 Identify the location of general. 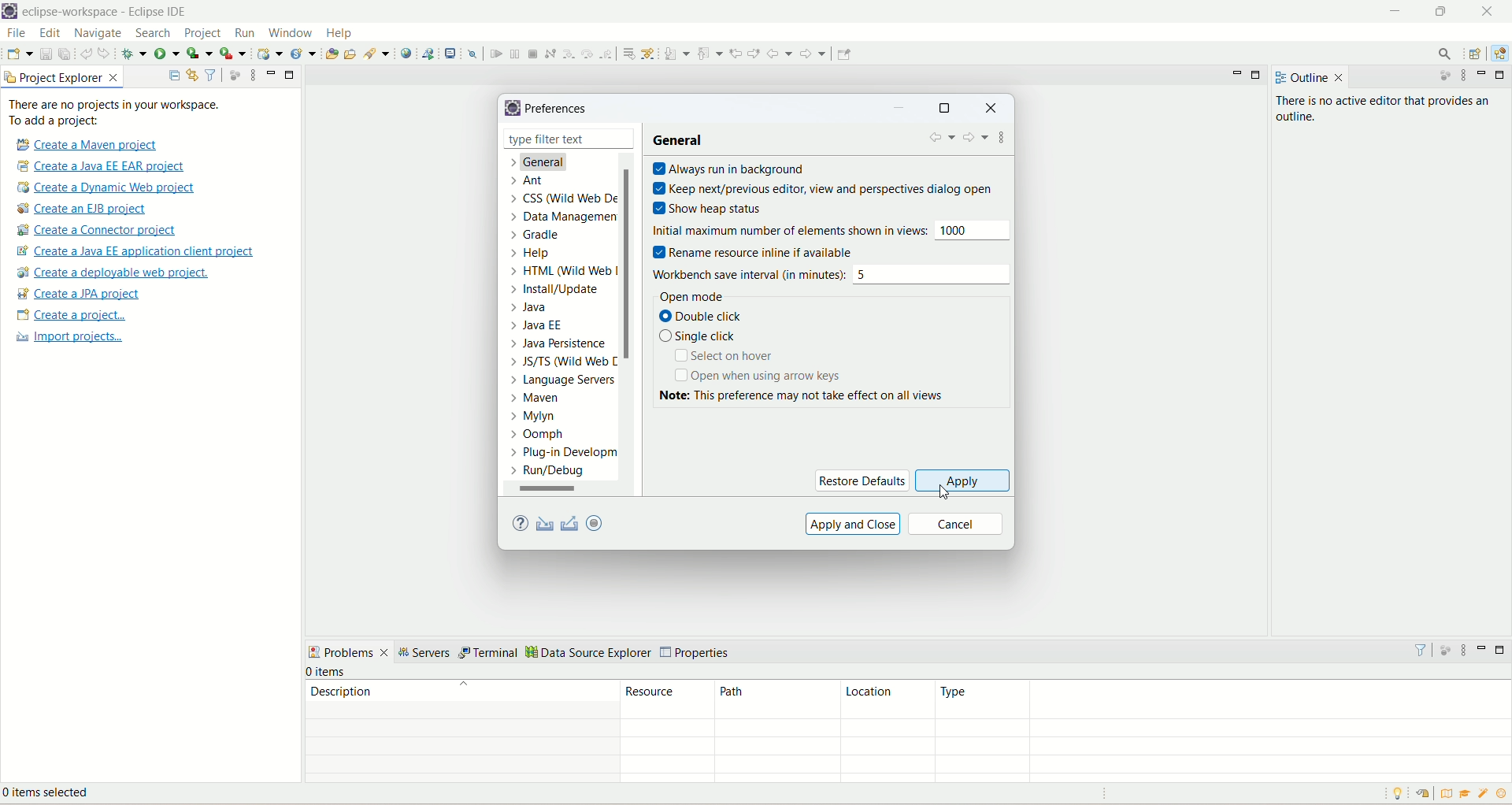
(547, 164).